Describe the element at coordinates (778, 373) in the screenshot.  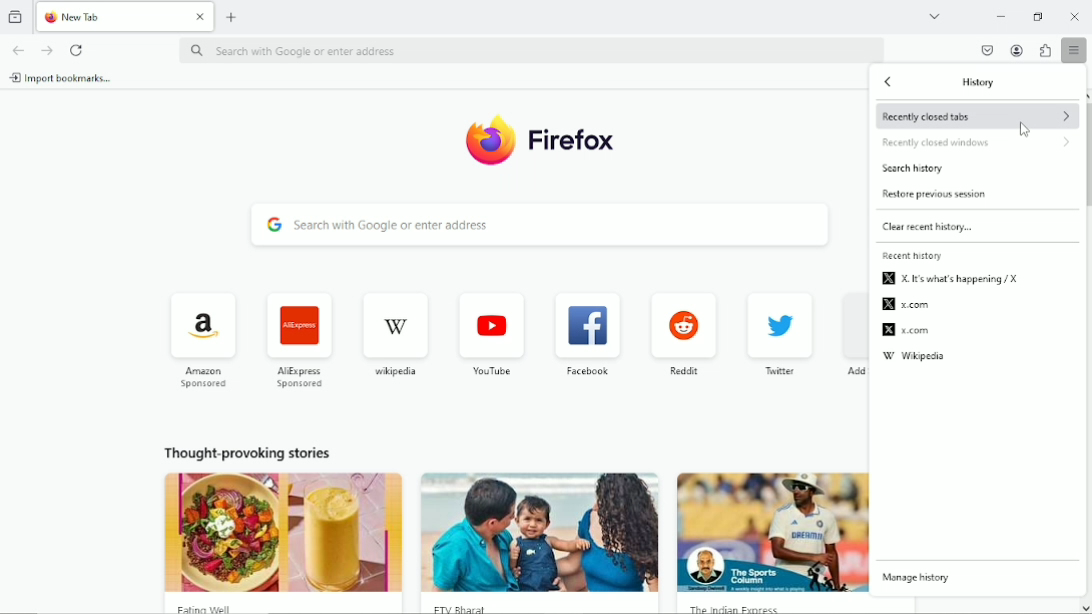
I see `twitter` at that location.